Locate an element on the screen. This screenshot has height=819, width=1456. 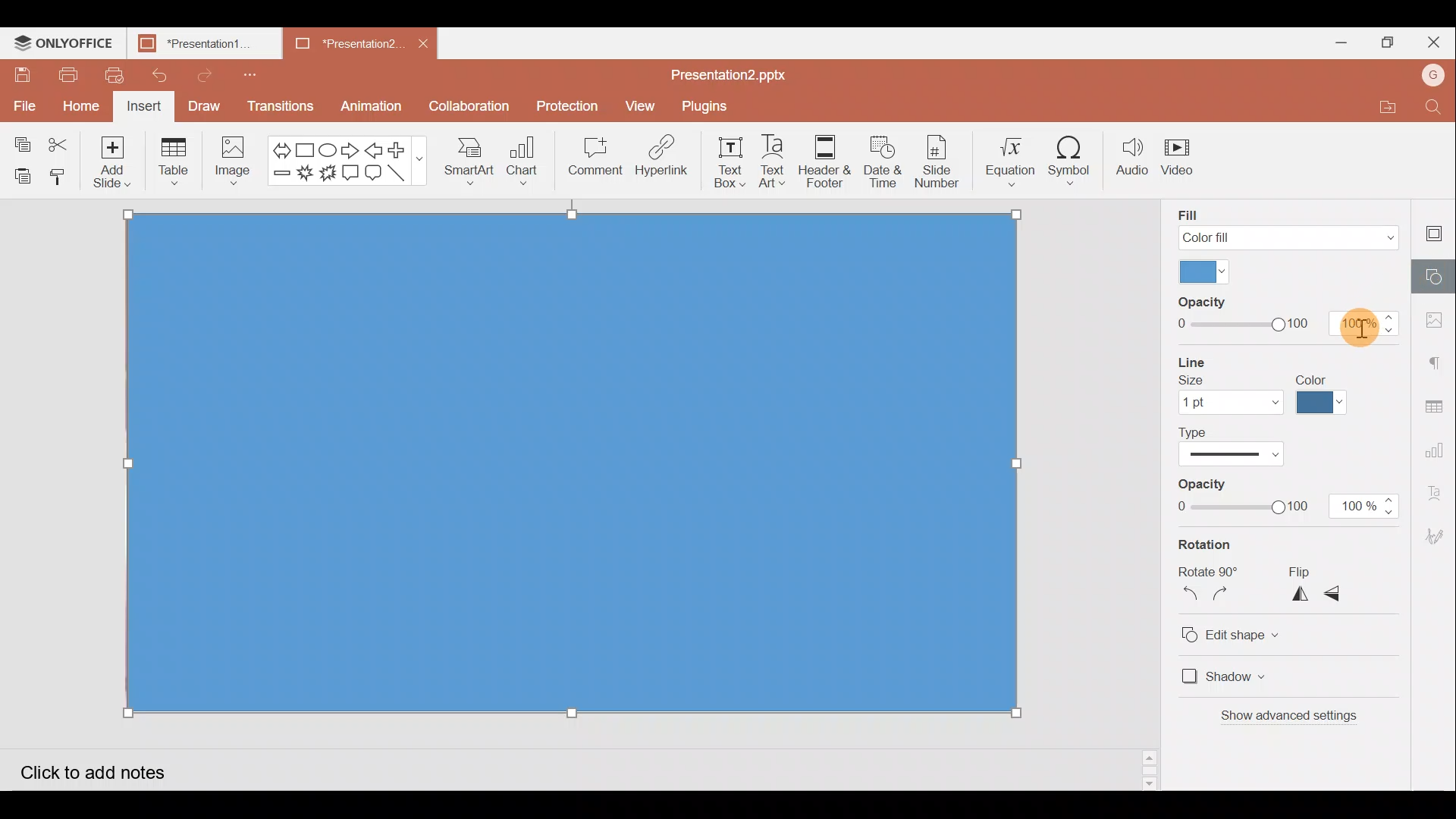
Cursor on opacity percentage is located at coordinates (1373, 334).